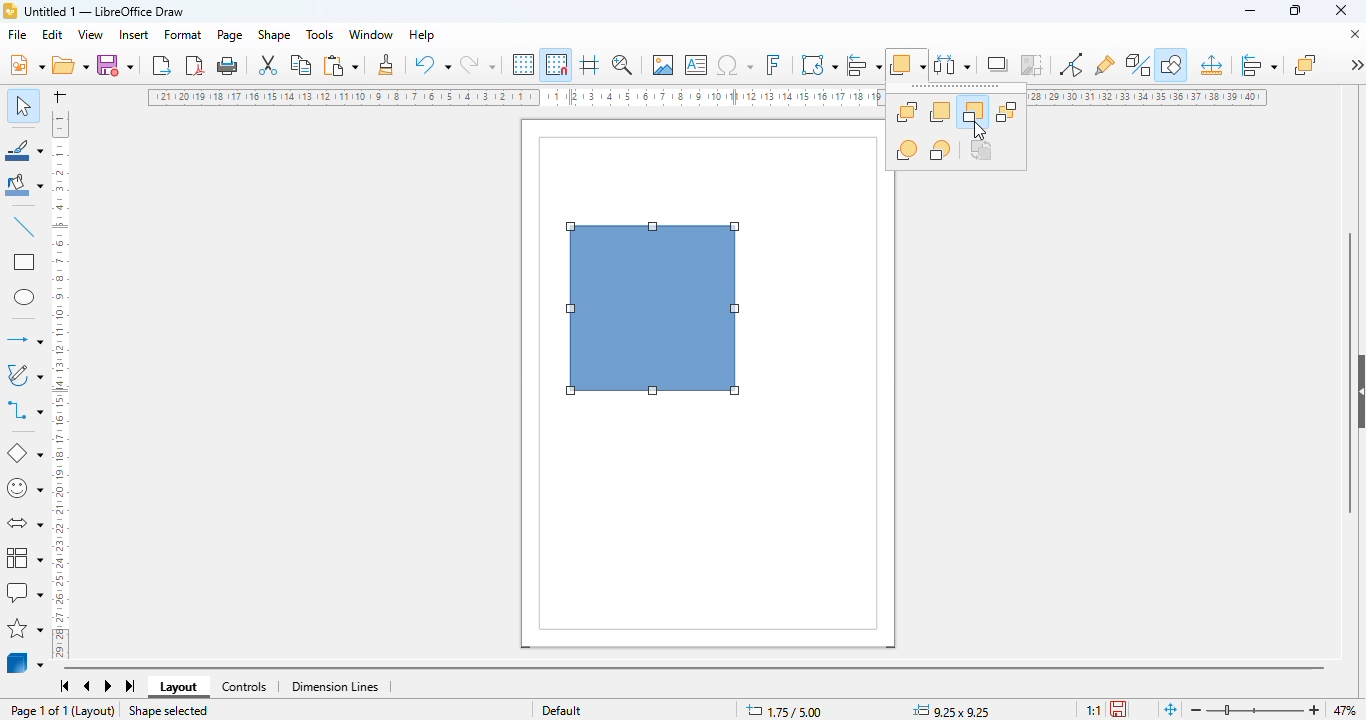 Image resolution: width=1366 pixels, height=720 pixels. I want to click on arrange, so click(908, 64).